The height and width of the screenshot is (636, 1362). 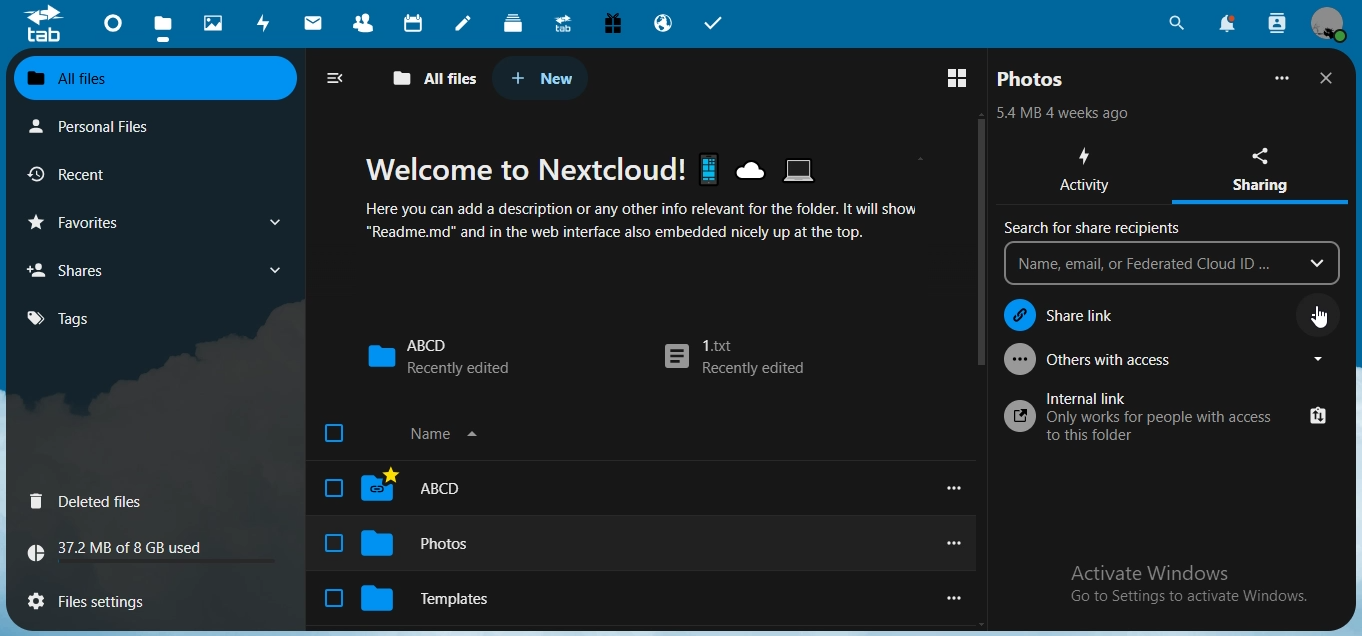 What do you see at coordinates (332, 433) in the screenshot?
I see `check box` at bounding box center [332, 433].